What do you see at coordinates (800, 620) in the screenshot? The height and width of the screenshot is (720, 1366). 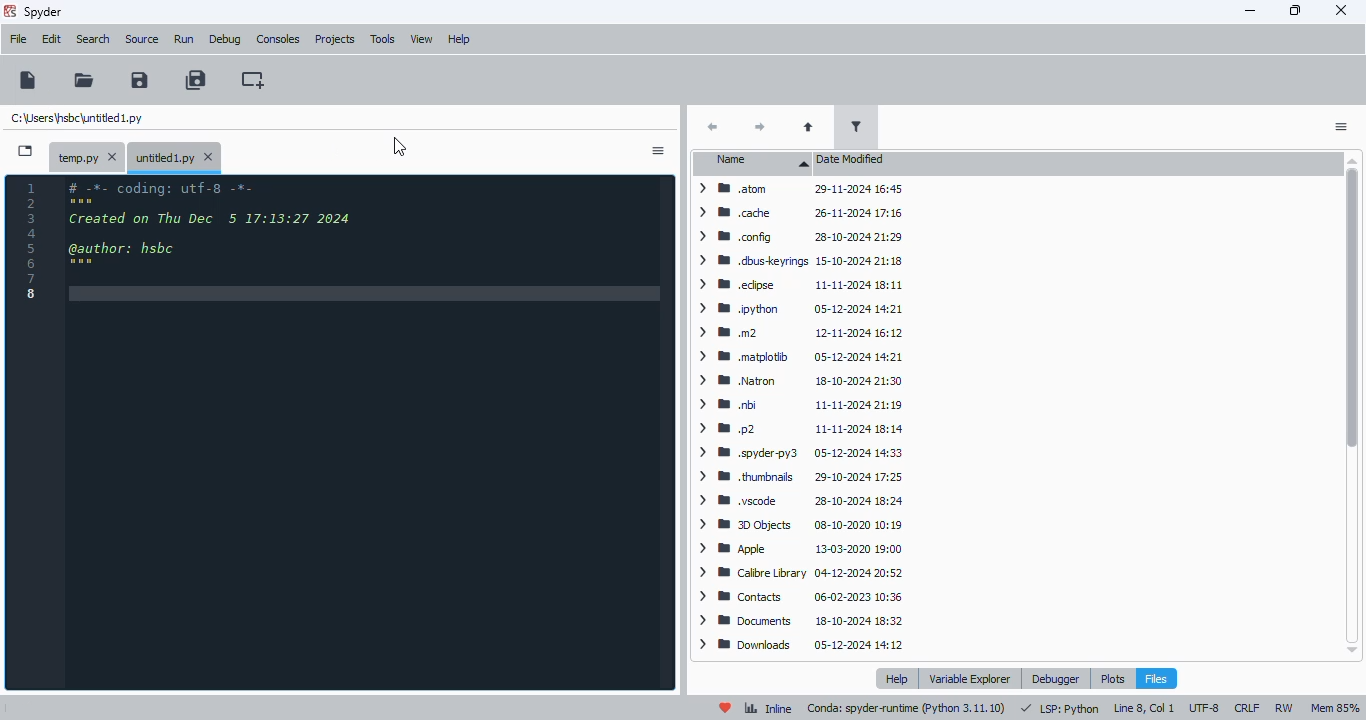 I see `> B® Documents 18-10-2024 18:32` at bounding box center [800, 620].